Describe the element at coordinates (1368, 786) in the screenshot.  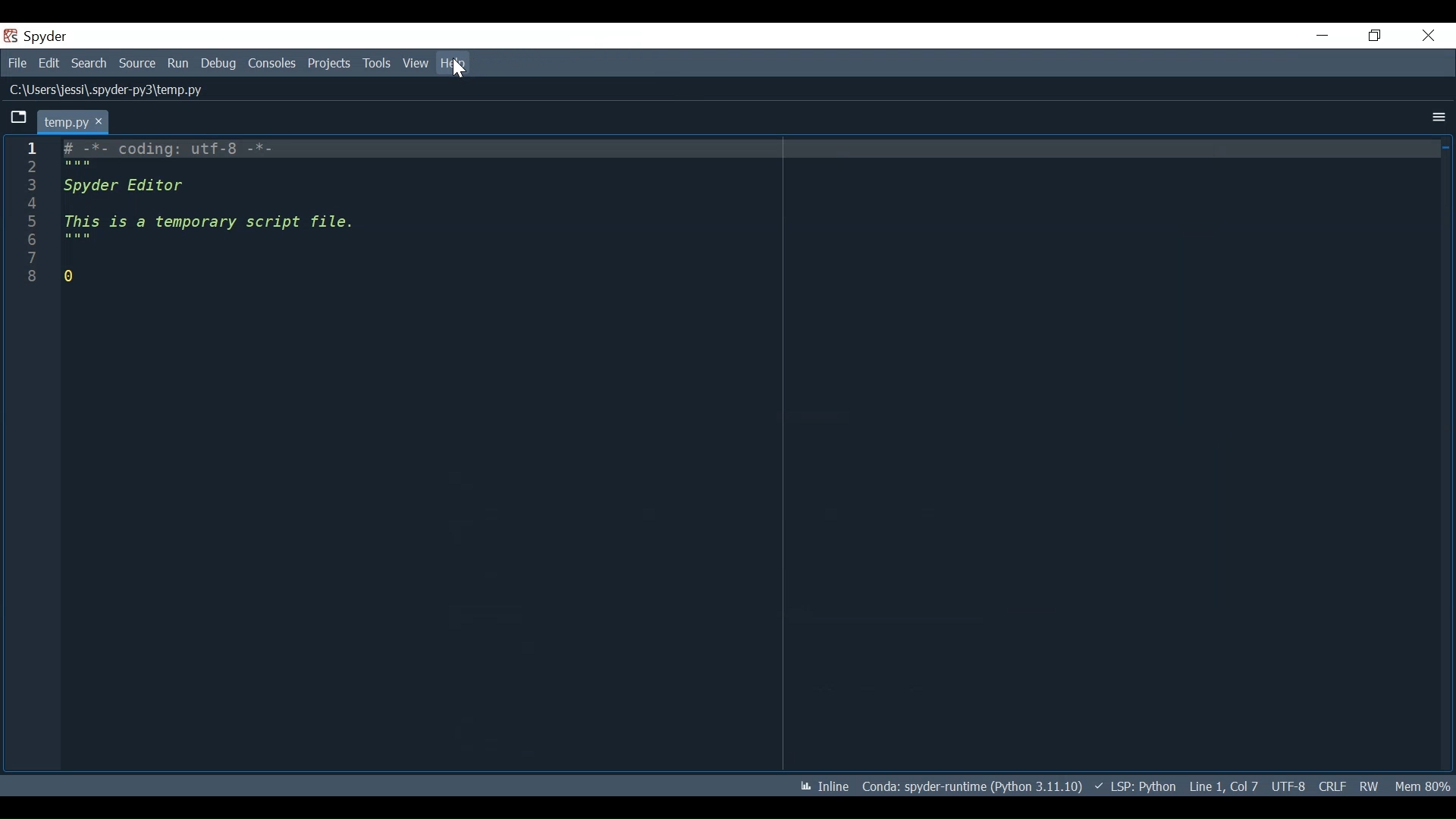
I see `RW` at that location.